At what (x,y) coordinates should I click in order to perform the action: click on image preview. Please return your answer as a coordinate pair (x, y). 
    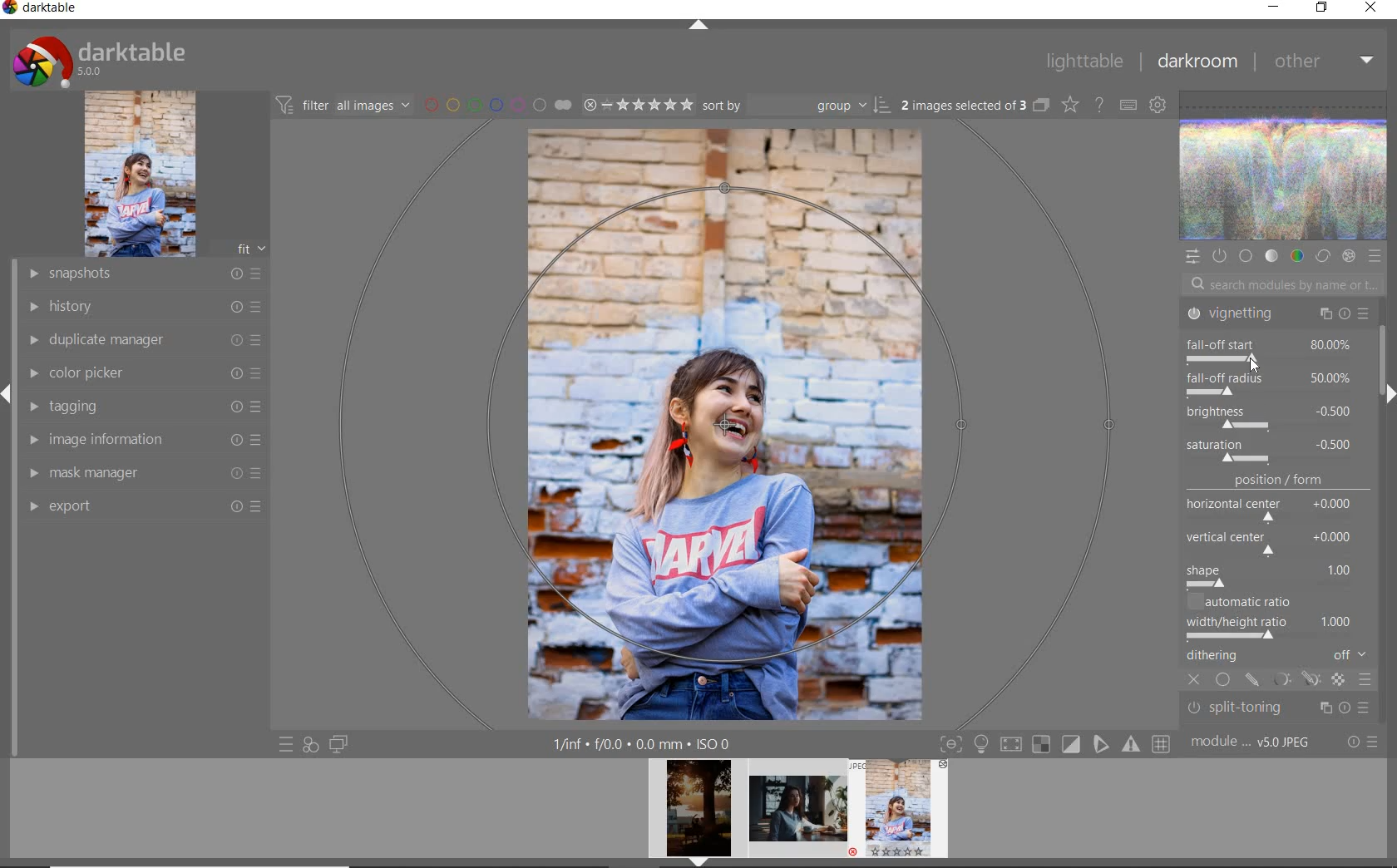
    Looking at the image, I should click on (904, 813).